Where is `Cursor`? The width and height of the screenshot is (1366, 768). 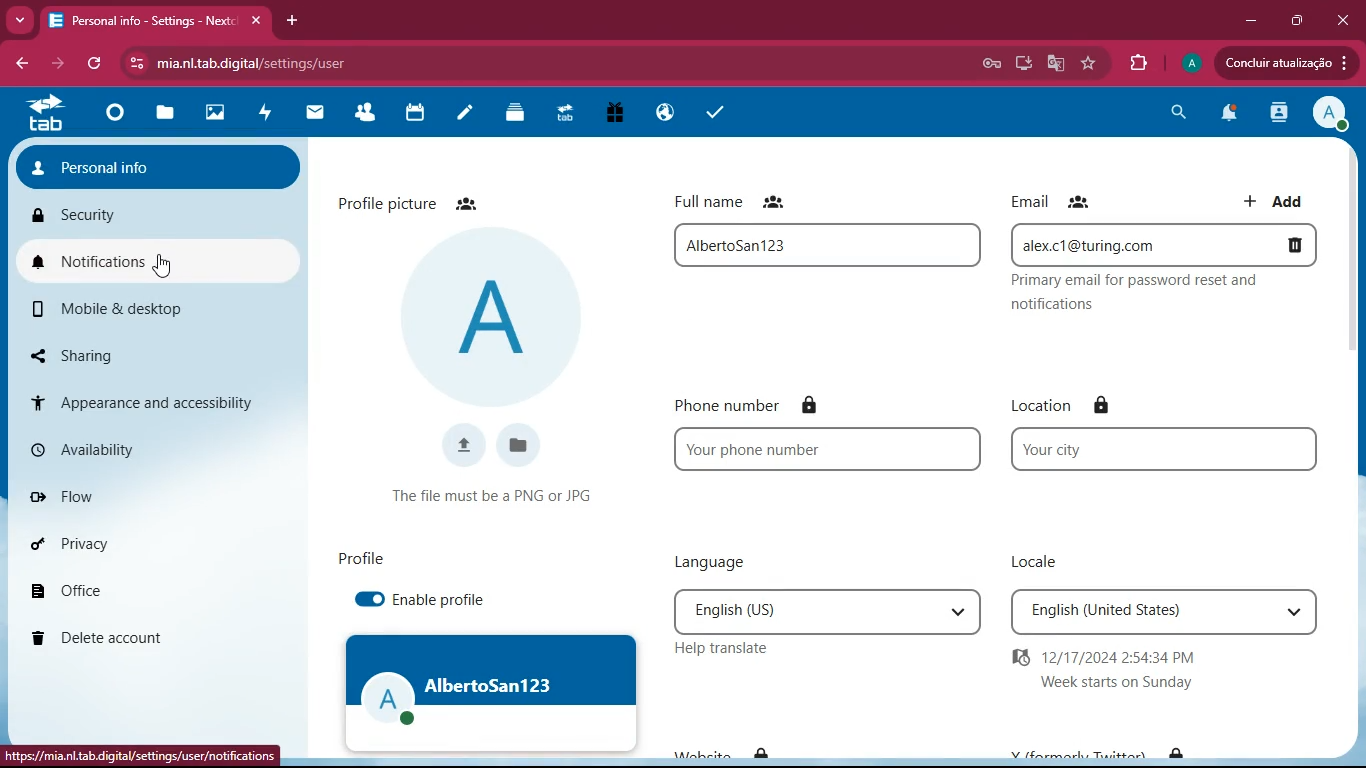 Cursor is located at coordinates (164, 266).